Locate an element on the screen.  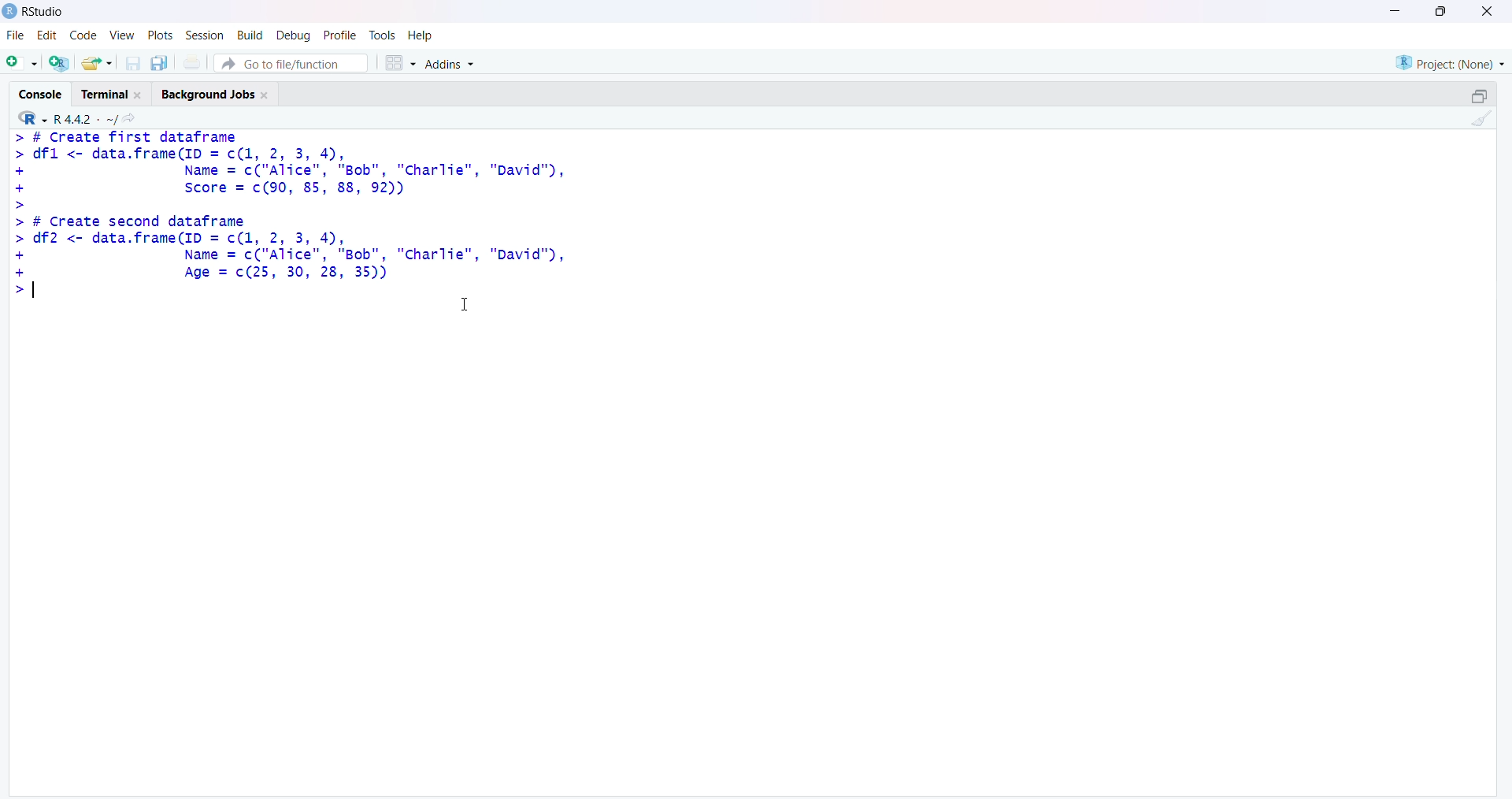
profile is located at coordinates (339, 35).